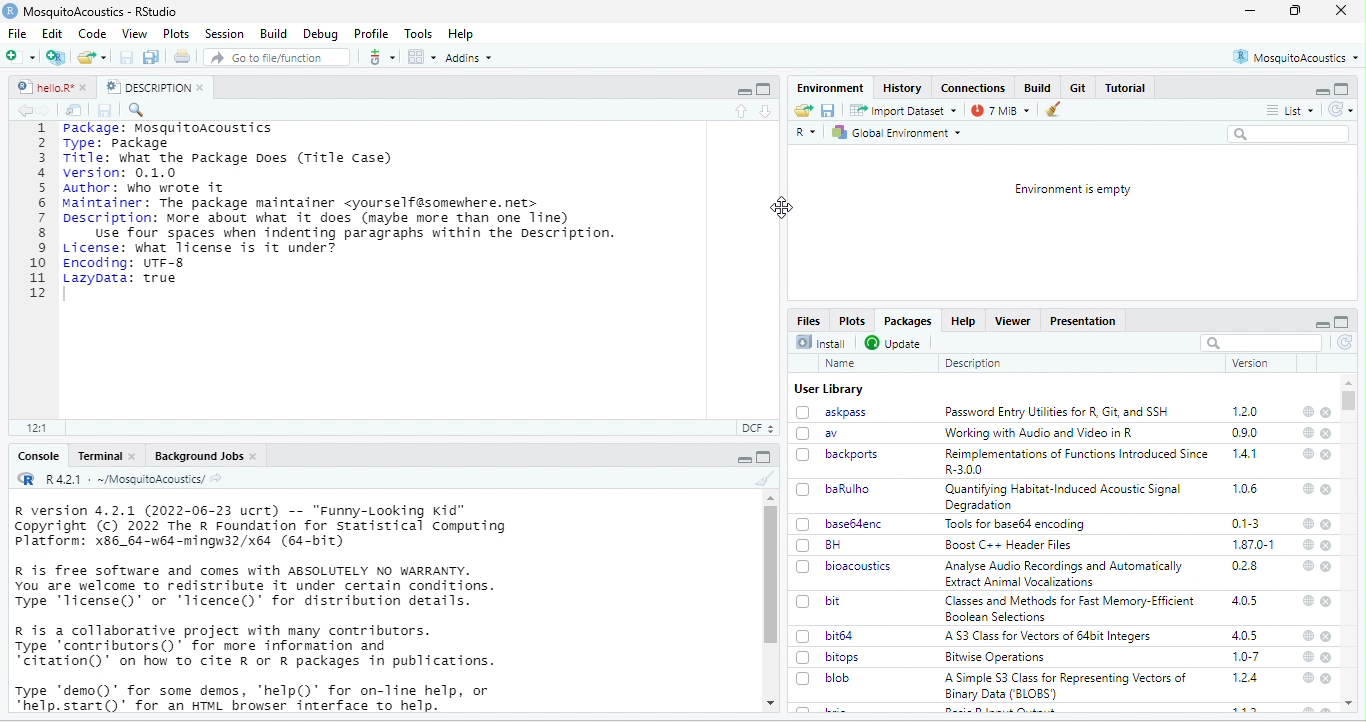  I want to click on full screen, so click(1342, 322).